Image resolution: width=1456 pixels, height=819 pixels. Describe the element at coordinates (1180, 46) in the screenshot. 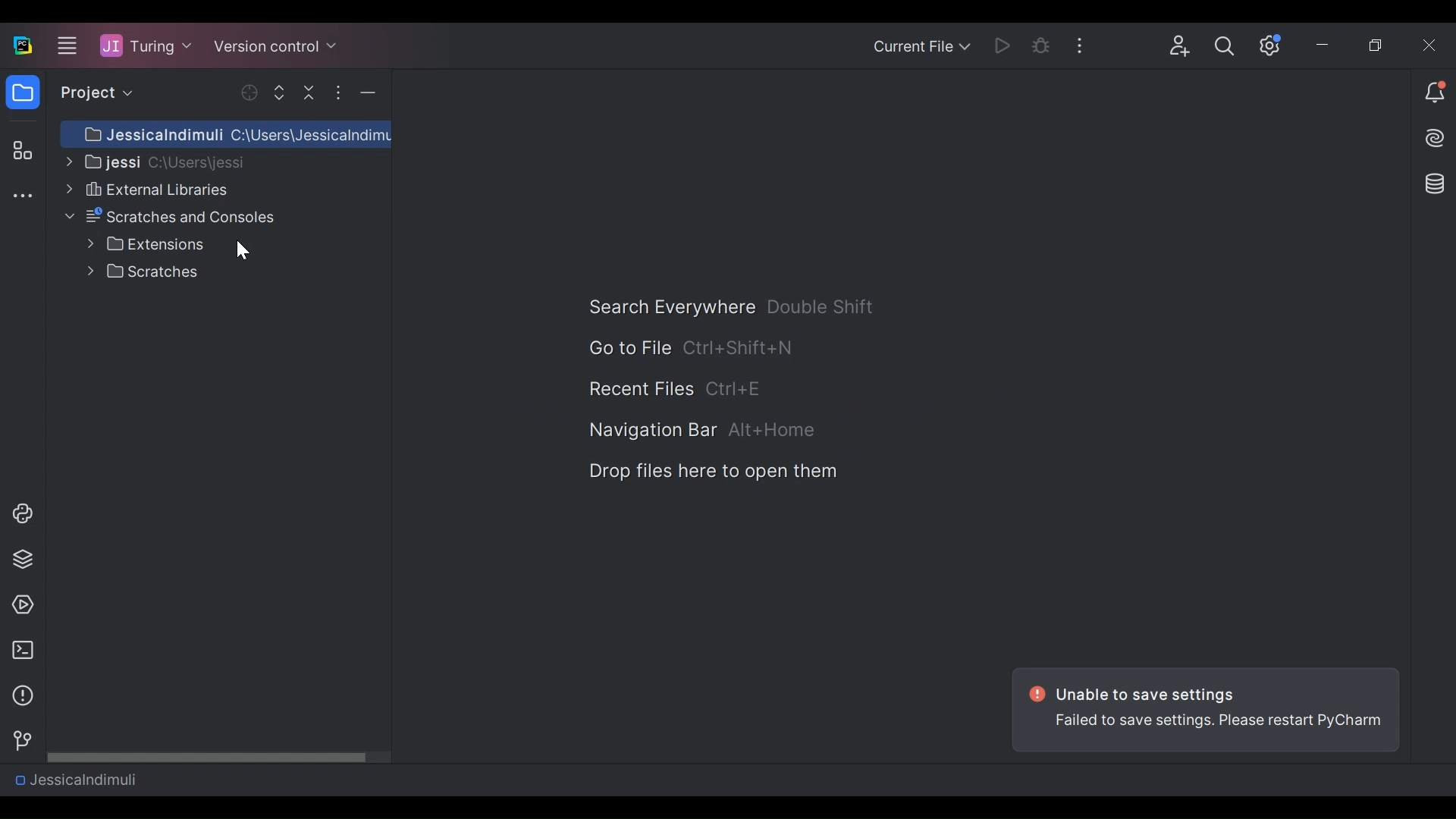

I see `Code with Me` at that location.